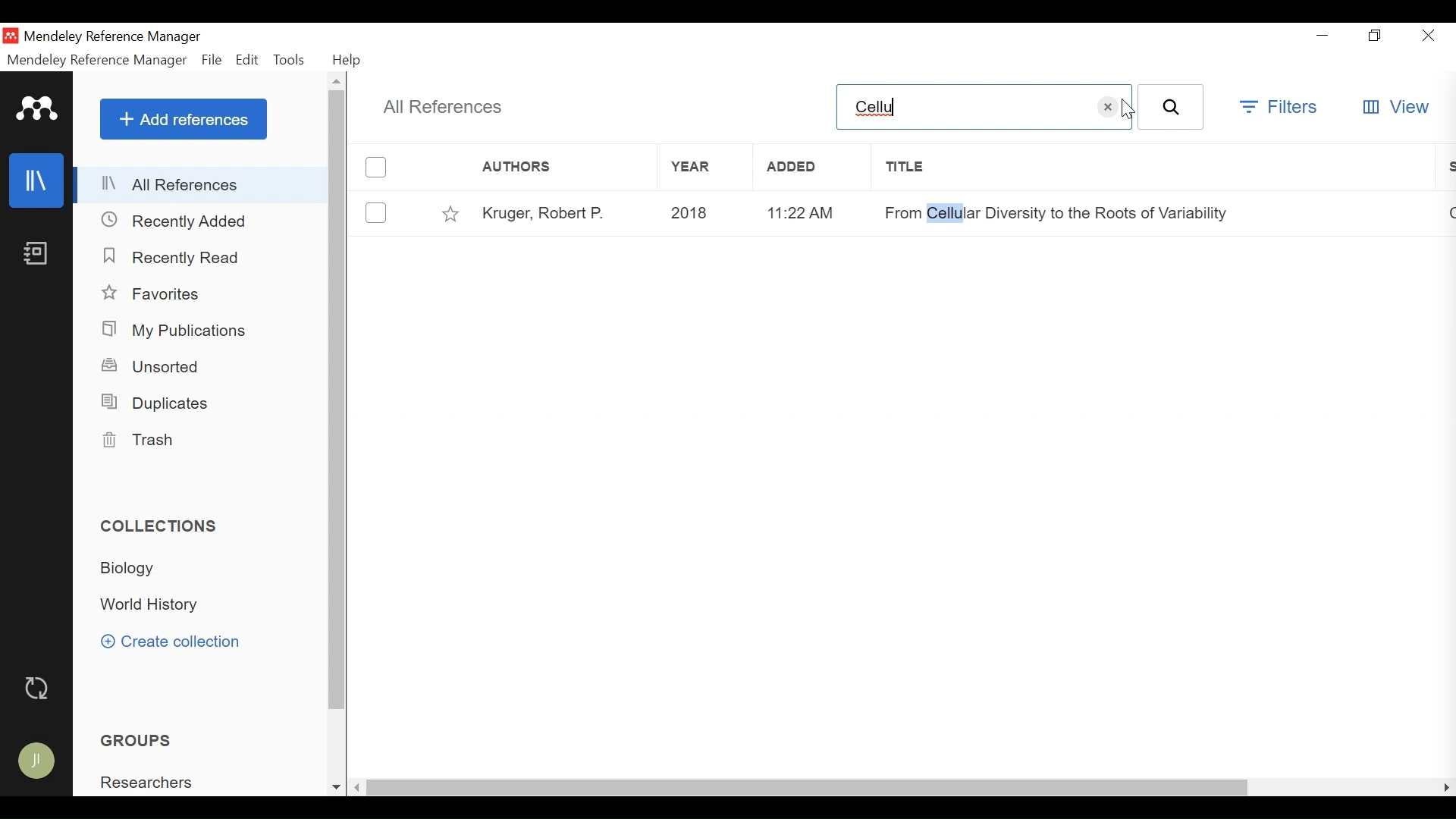  What do you see at coordinates (335, 787) in the screenshot?
I see `Scroll down` at bounding box center [335, 787].